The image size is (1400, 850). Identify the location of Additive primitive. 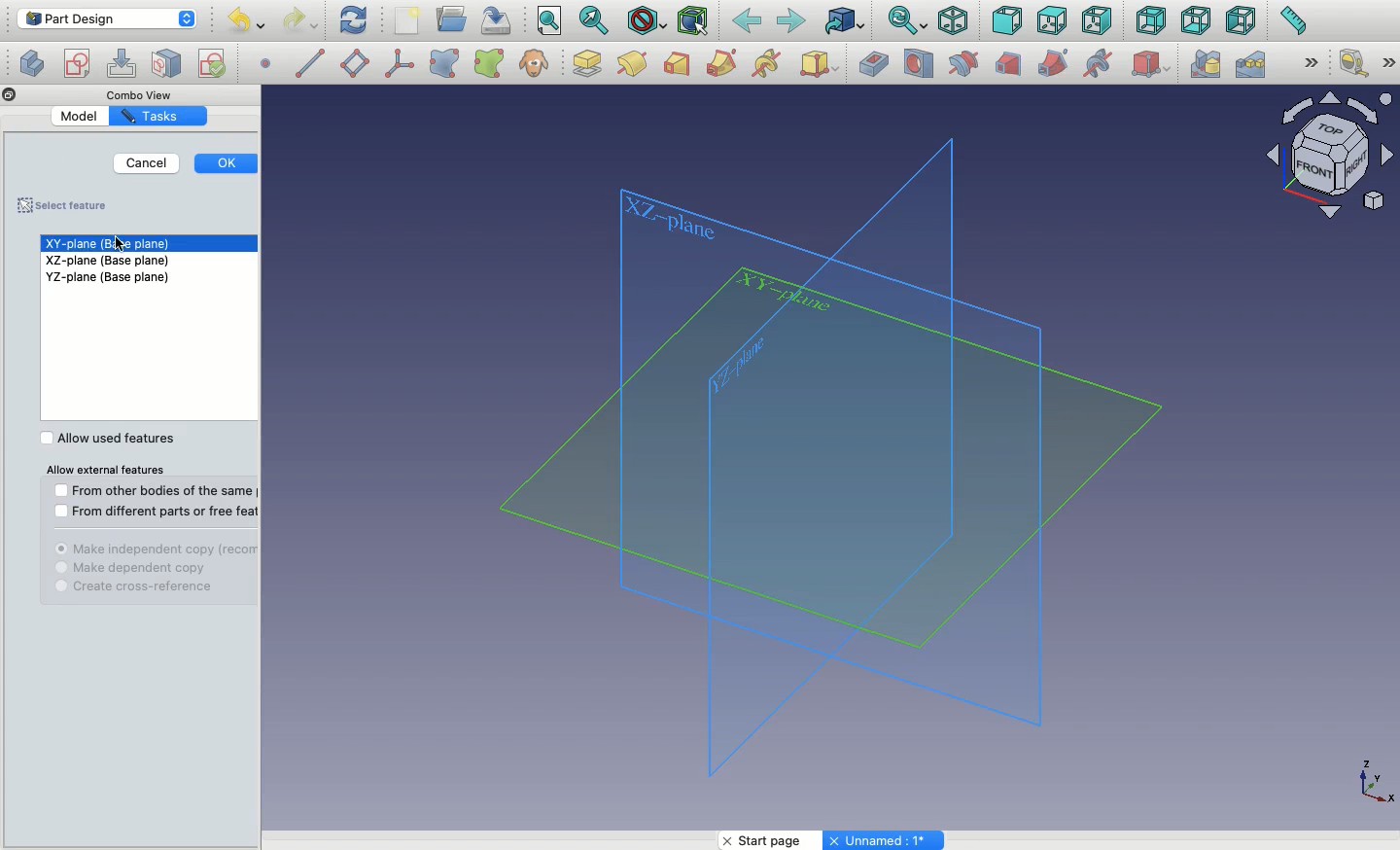
(822, 66).